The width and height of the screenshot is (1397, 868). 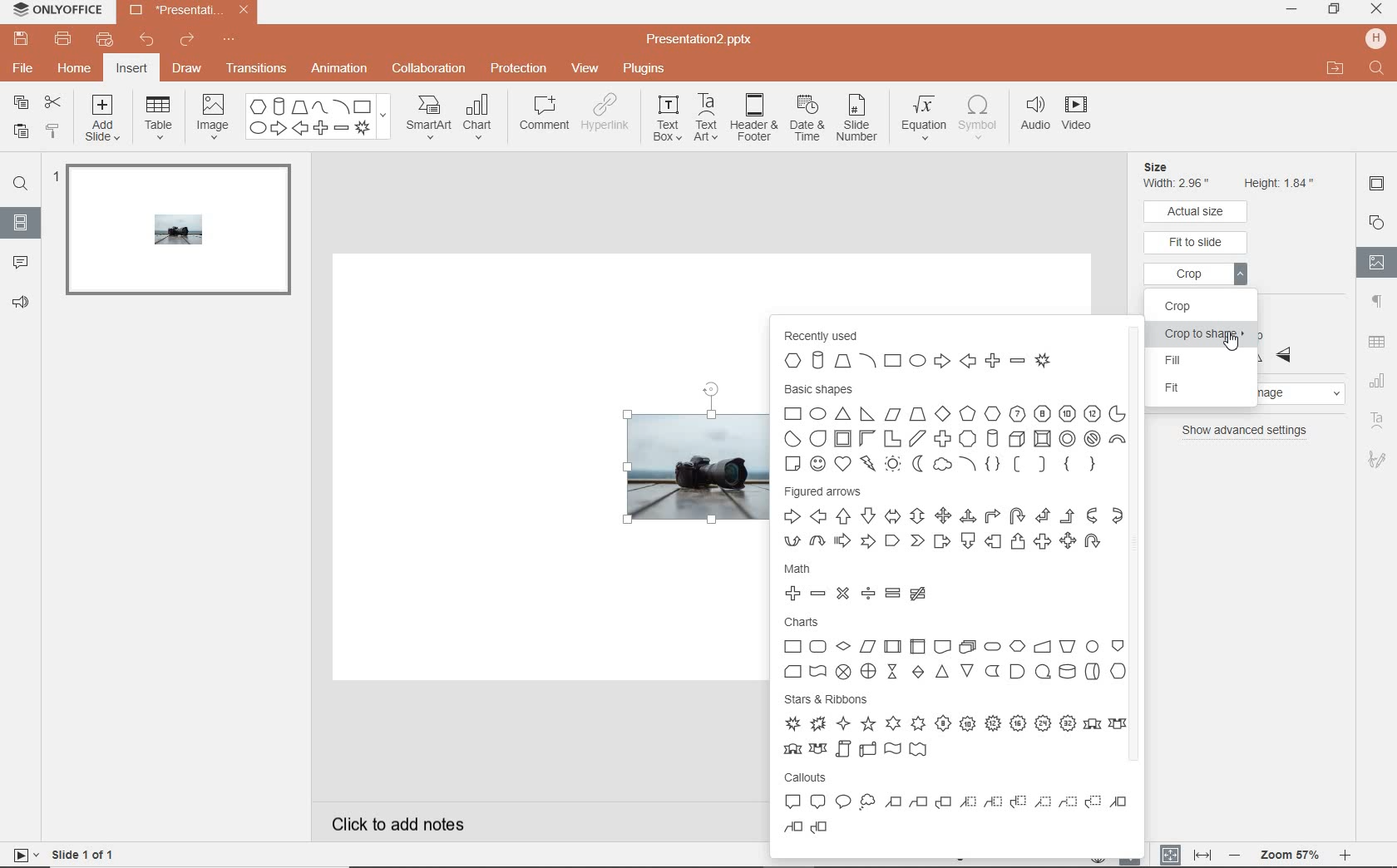 I want to click on signature, so click(x=1377, y=460).